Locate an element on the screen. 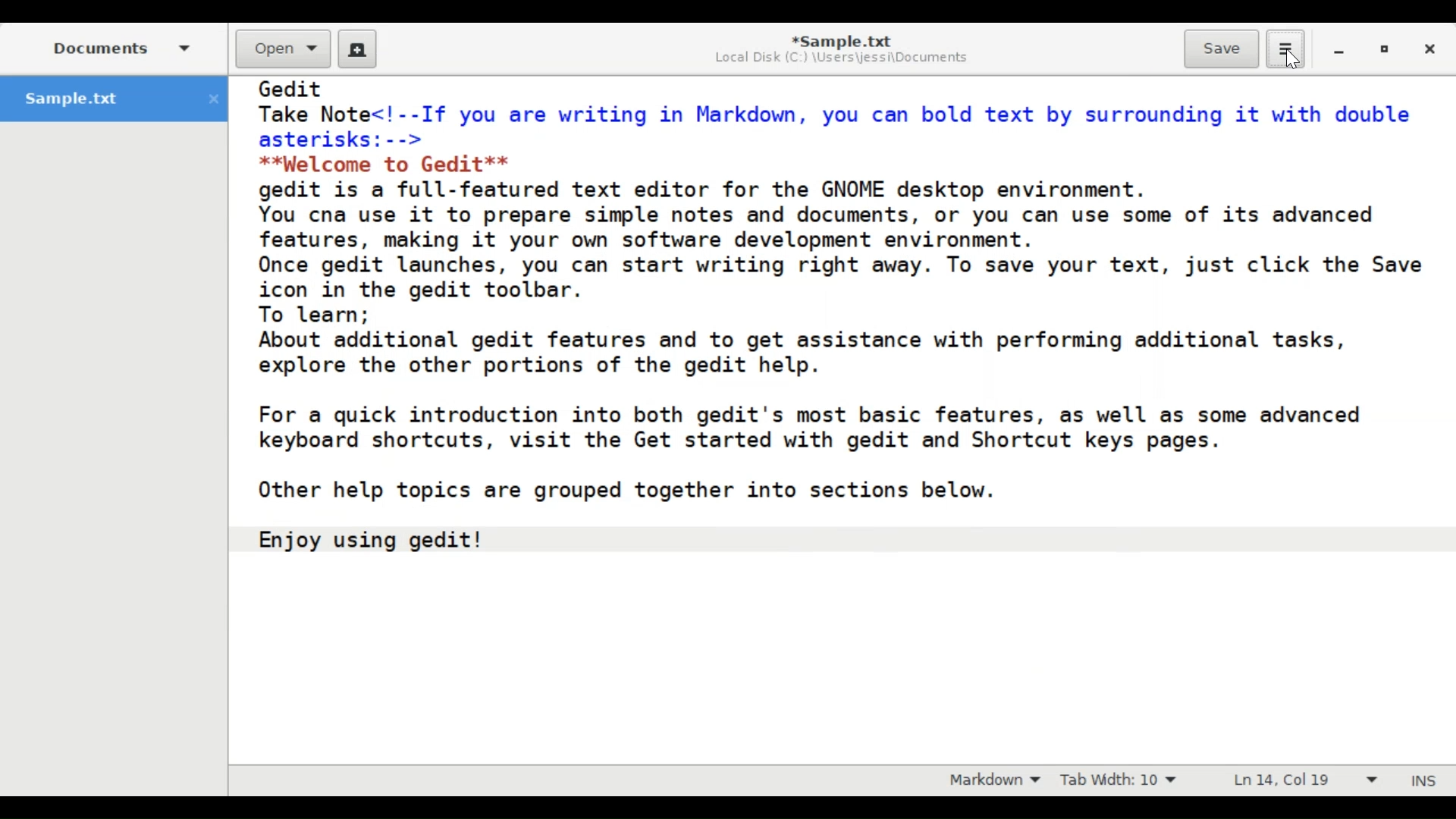 The width and height of the screenshot is (1456, 819). Save is located at coordinates (1220, 49).